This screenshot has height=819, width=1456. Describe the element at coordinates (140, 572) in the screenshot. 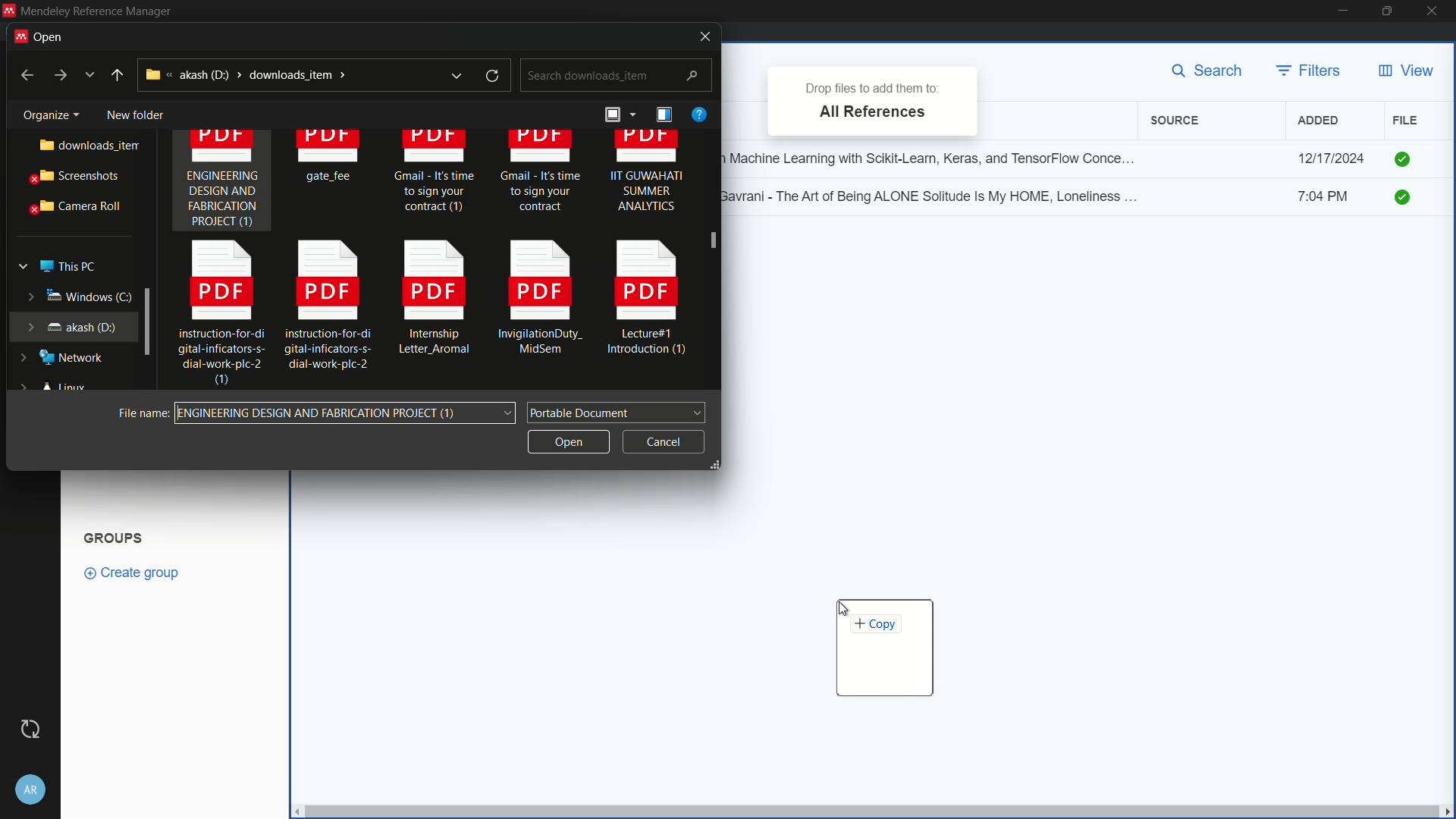

I see `create group` at that location.